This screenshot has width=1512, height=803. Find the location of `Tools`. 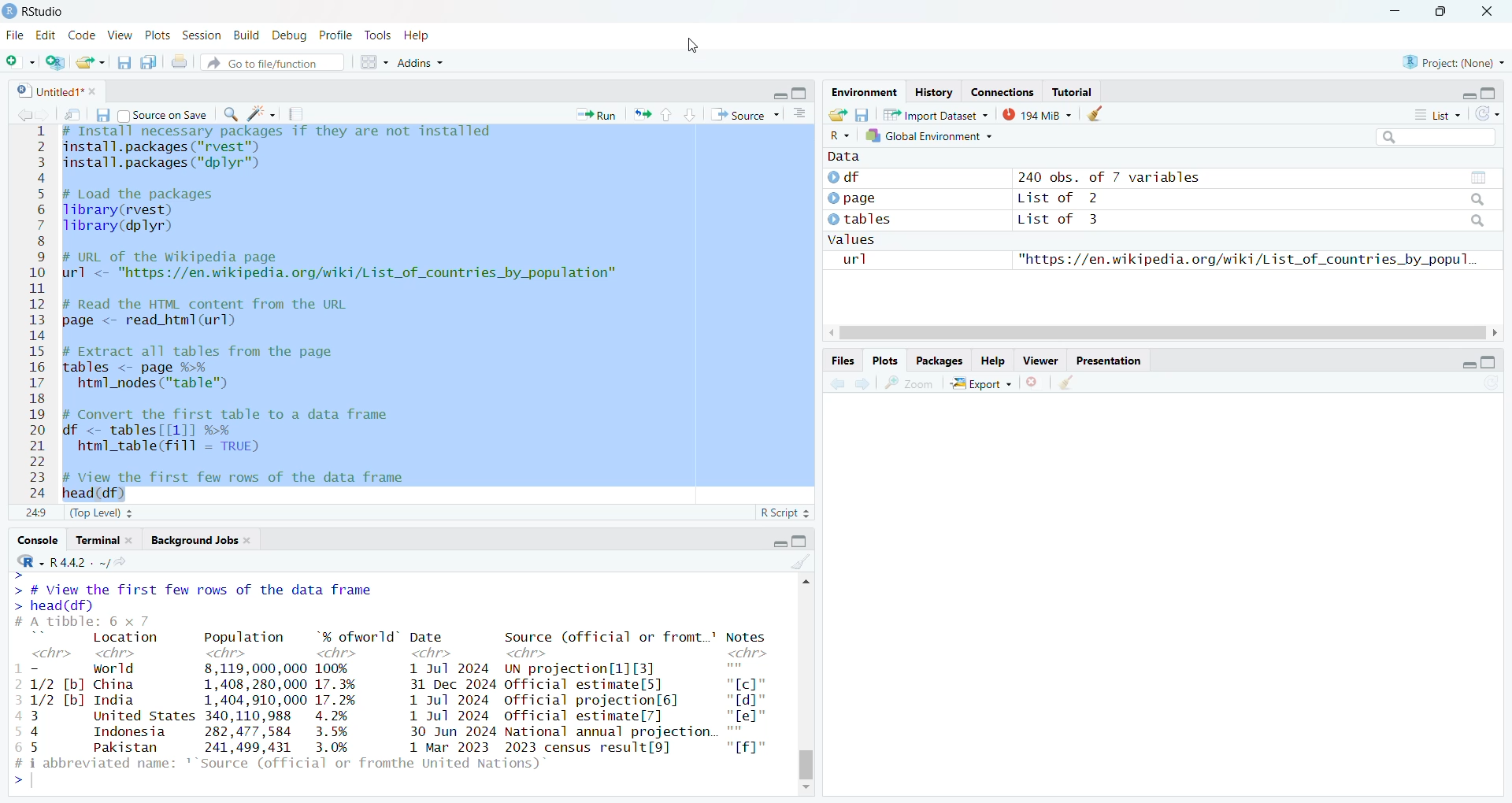

Tools is located at coordinates (379, 35).